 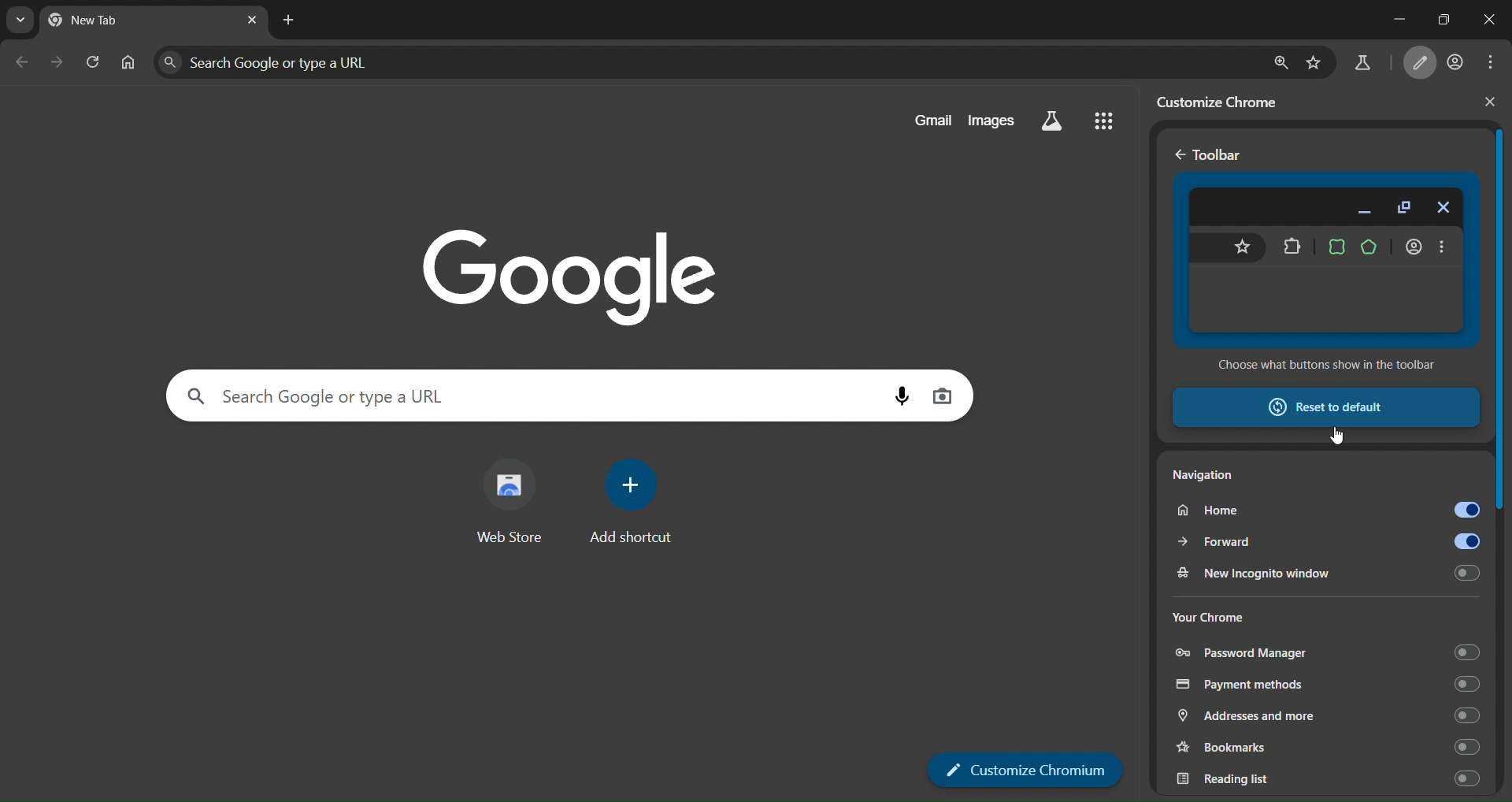 I want to click on navigation, so click(x=1273, y=478).